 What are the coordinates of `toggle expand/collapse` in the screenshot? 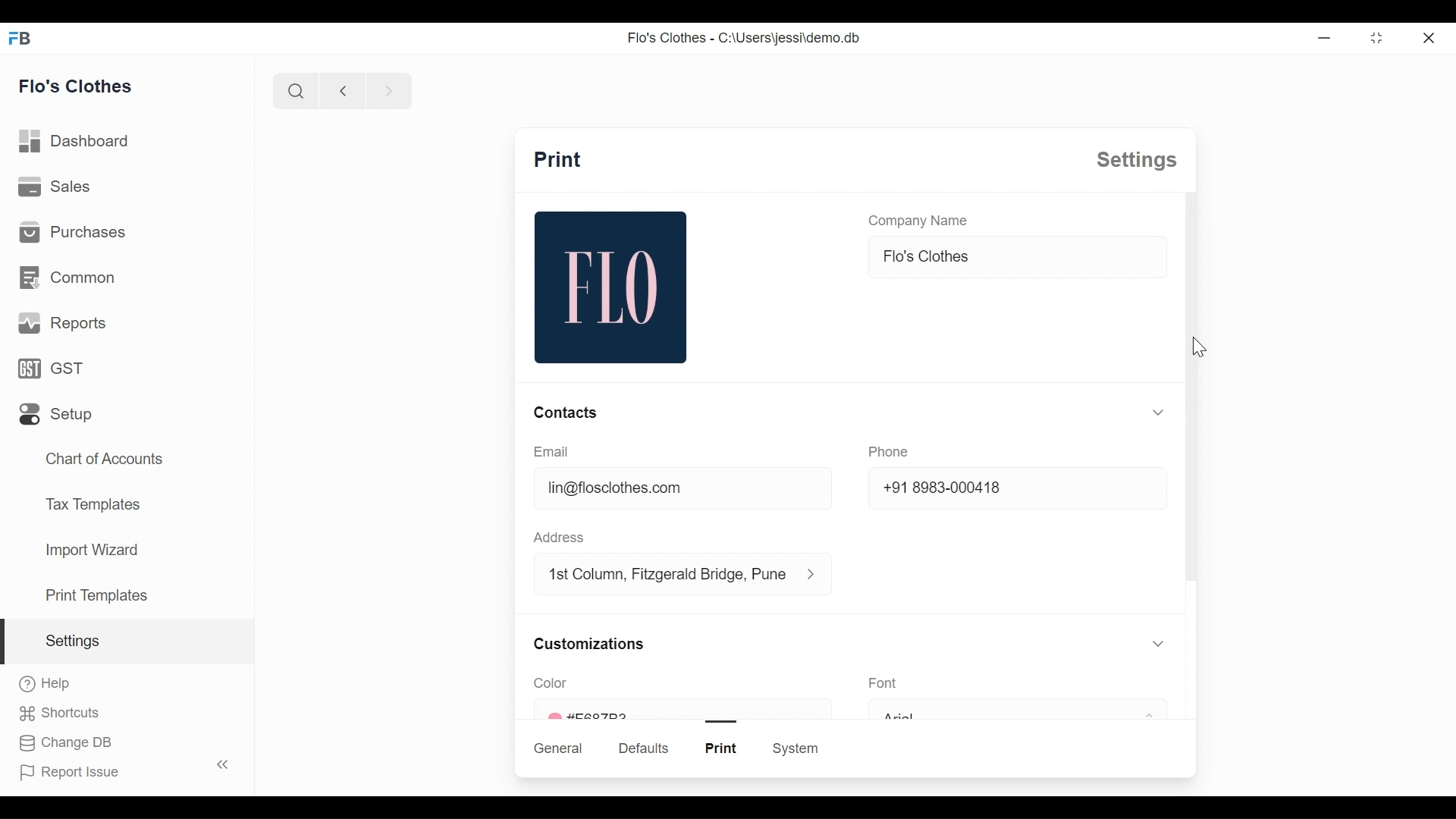 It's located at (1158, 412).